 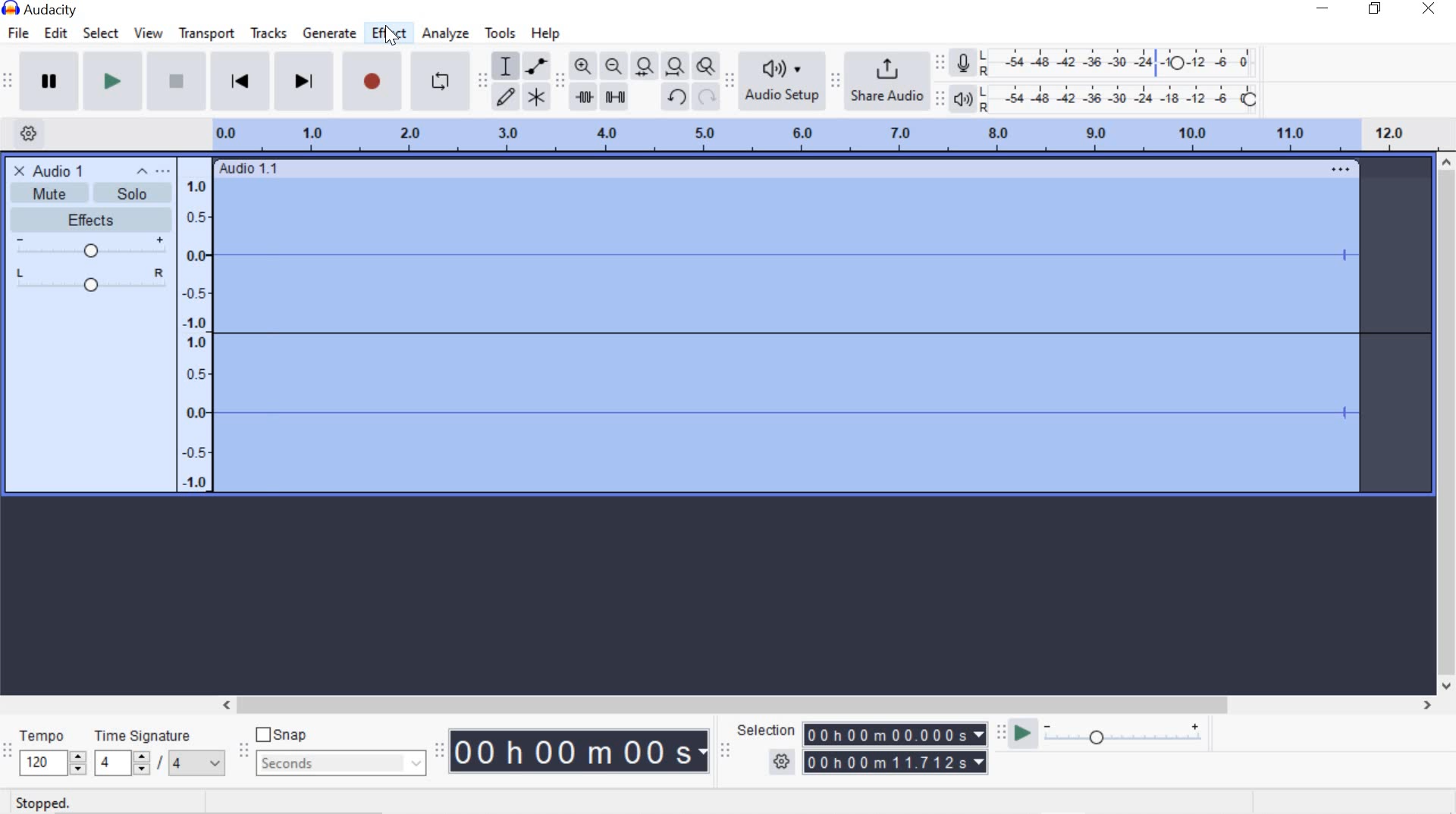 I want to click on Edit Toolbar, so click(x=560, y=80).